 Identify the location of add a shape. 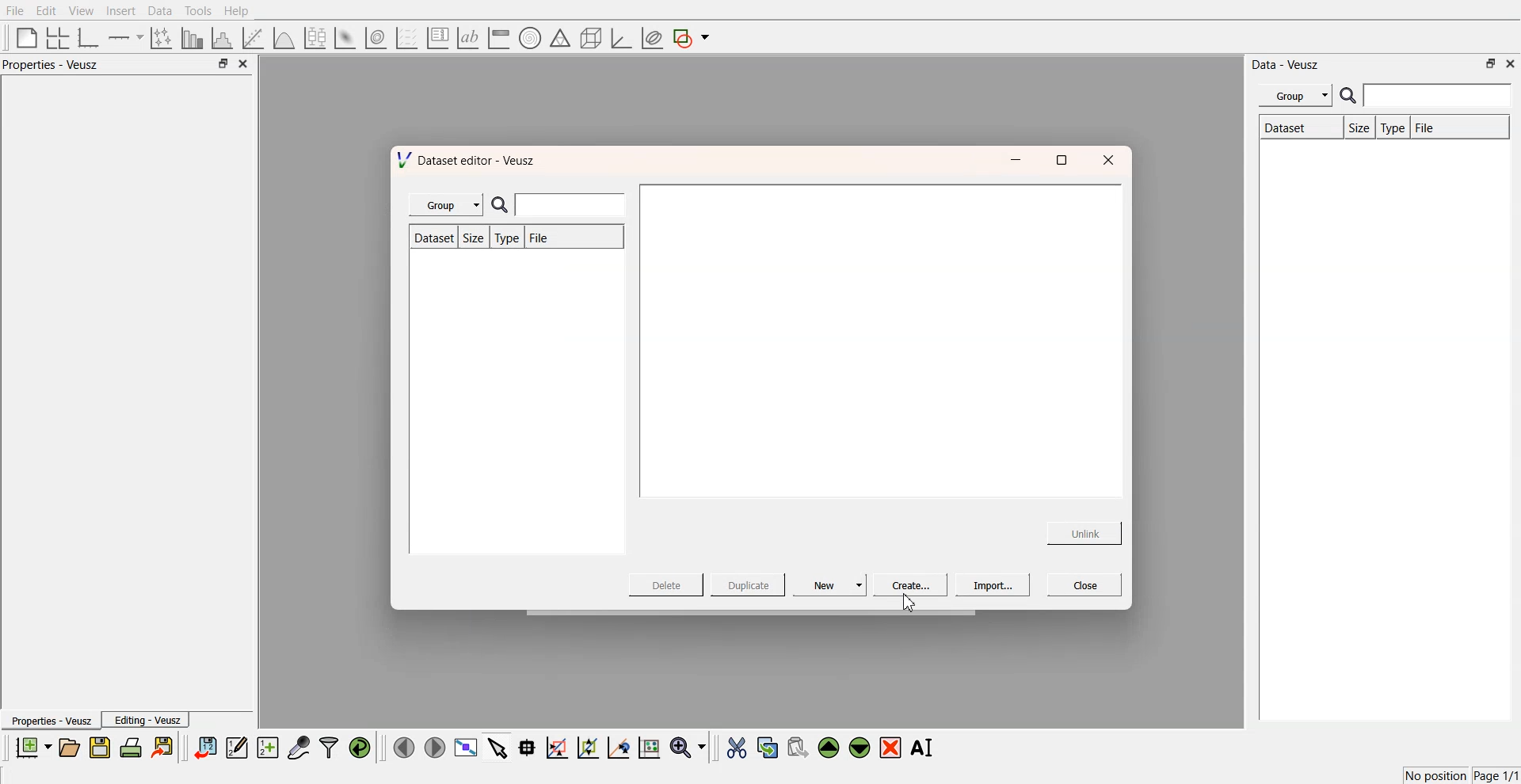
(692, 39).